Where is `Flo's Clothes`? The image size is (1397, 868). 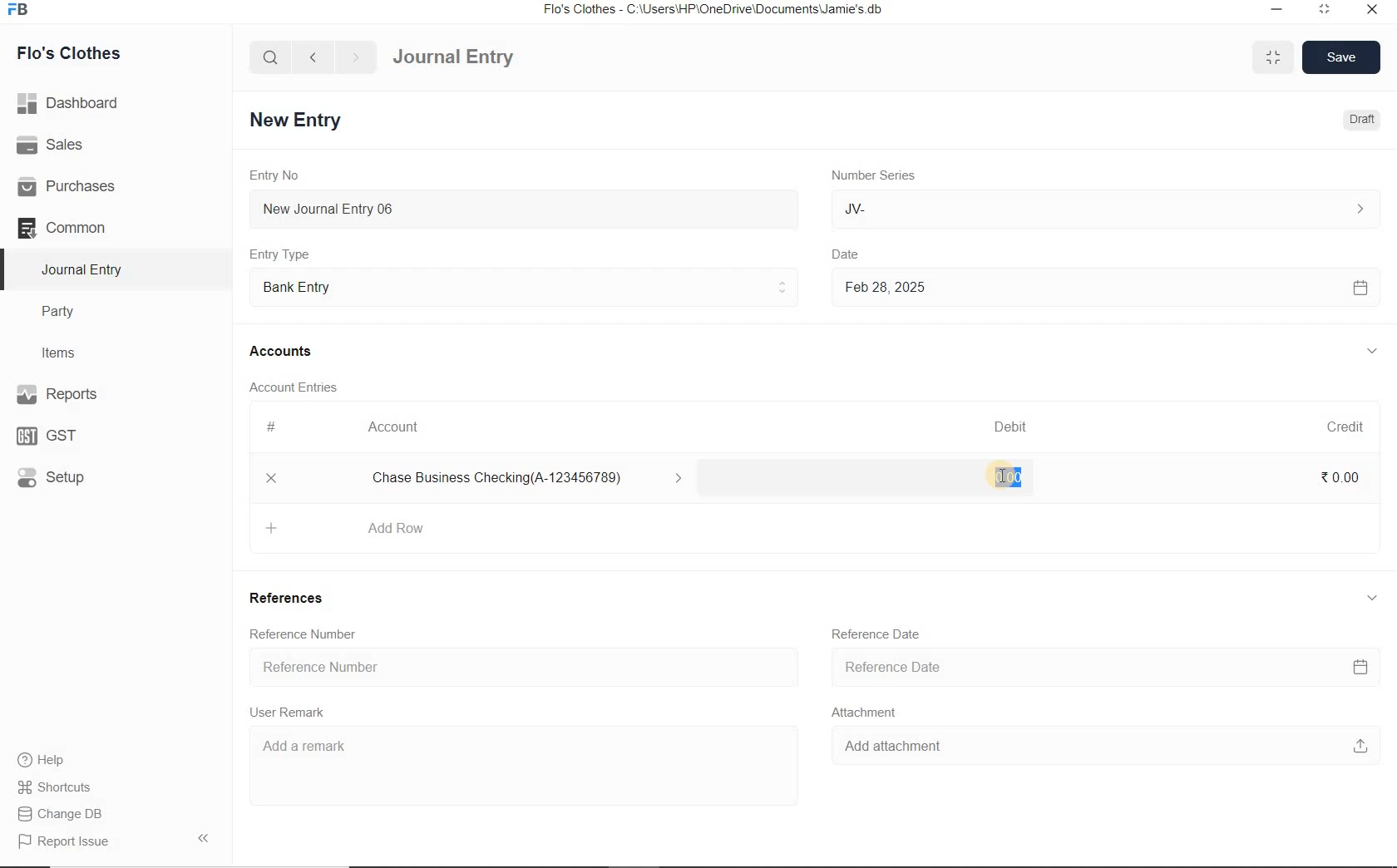 Flo's Clothes is located at coordinates (81, 53).